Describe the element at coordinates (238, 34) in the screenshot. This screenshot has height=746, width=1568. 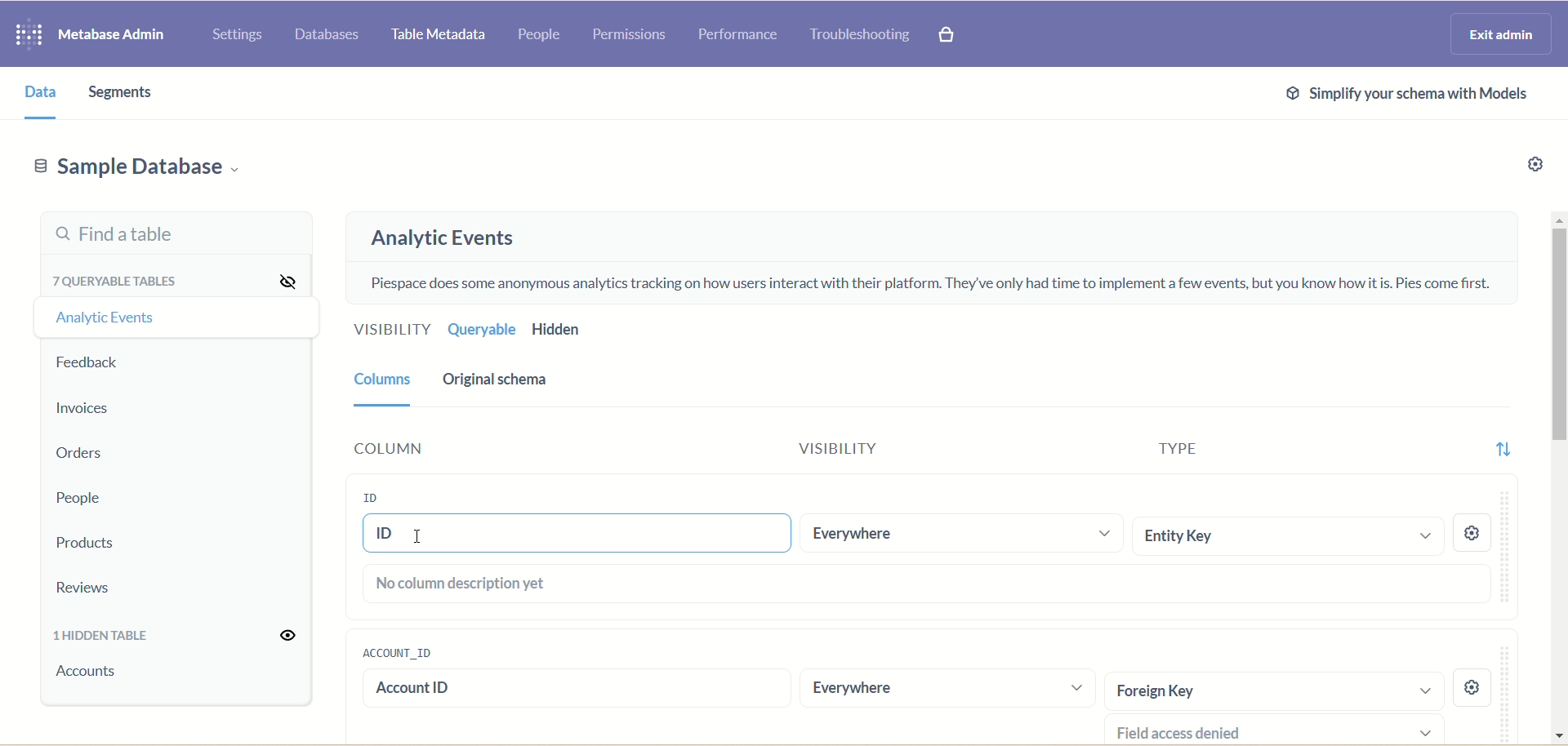
I see `Settings` at that location.